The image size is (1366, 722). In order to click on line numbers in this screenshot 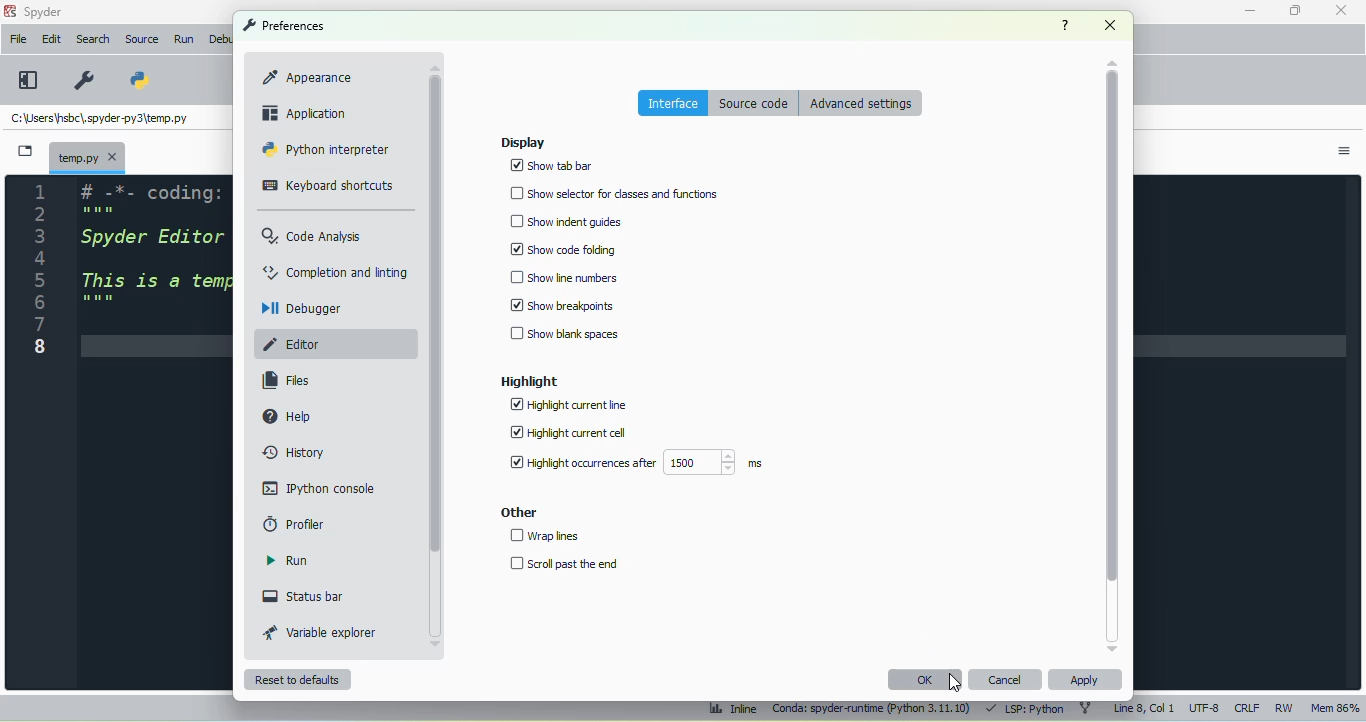, I will do `click(41, 272)`.